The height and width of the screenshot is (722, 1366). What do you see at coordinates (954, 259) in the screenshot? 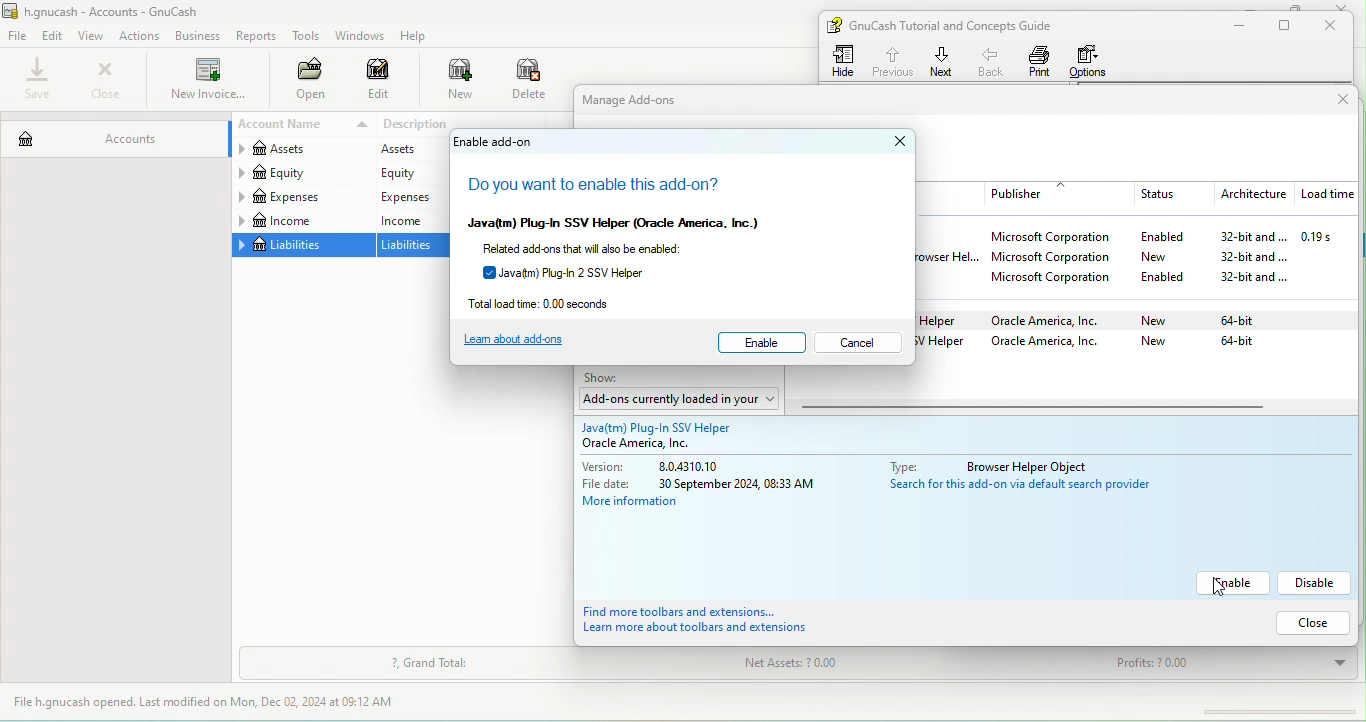
I see `skype for business browser hel` at bounding box center [954, 259].